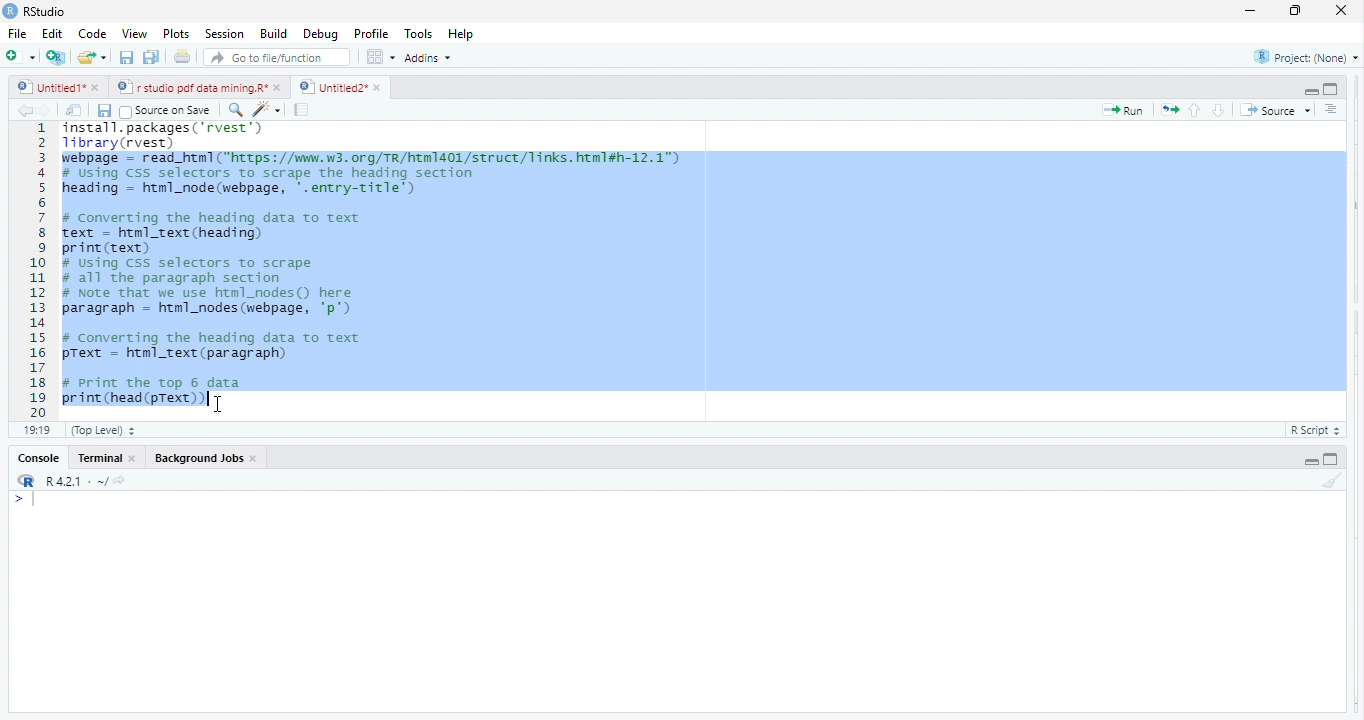  I want to click on Addins , so click(432, 57).